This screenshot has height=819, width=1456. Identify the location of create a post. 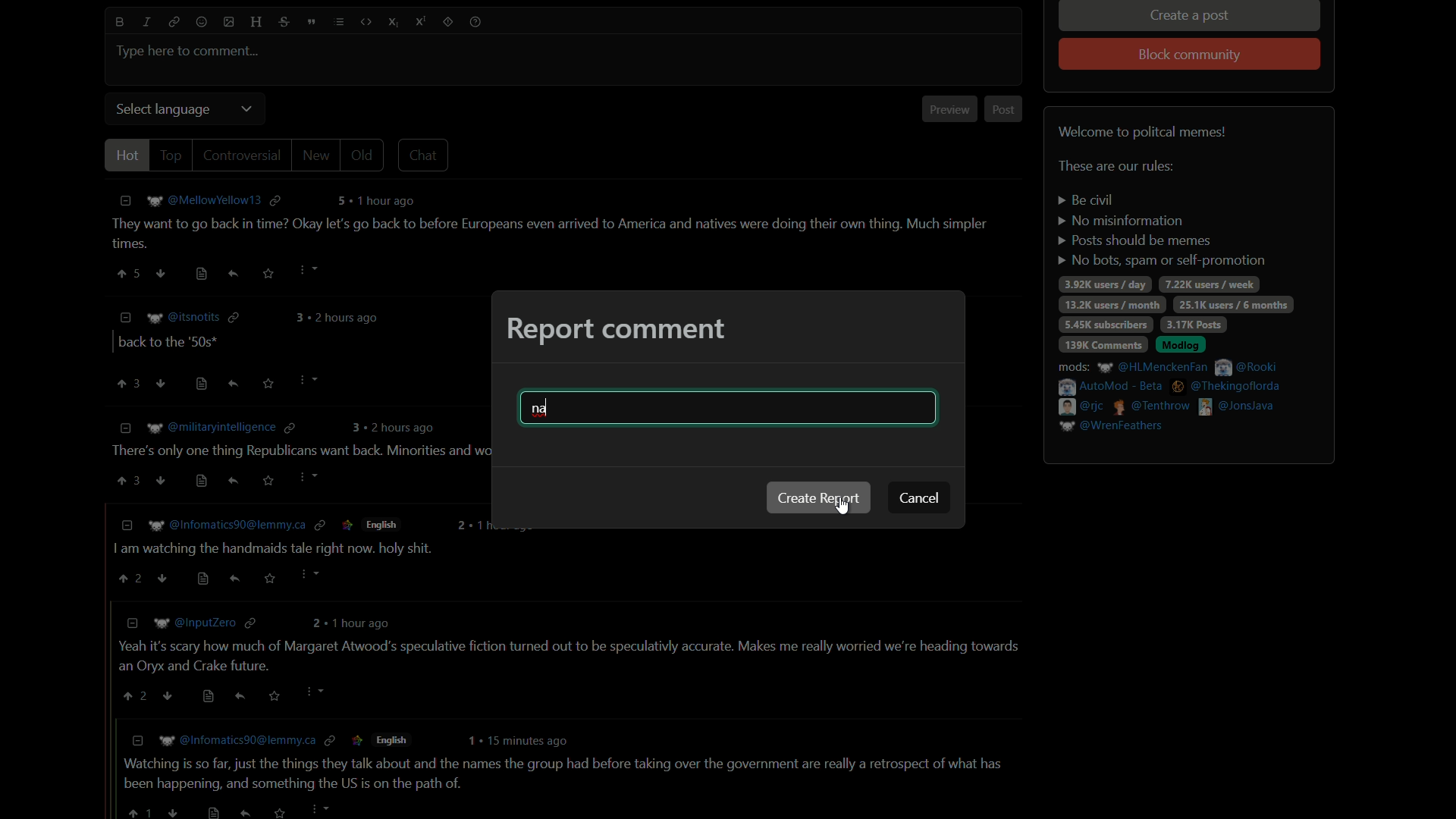
(1191, 17).